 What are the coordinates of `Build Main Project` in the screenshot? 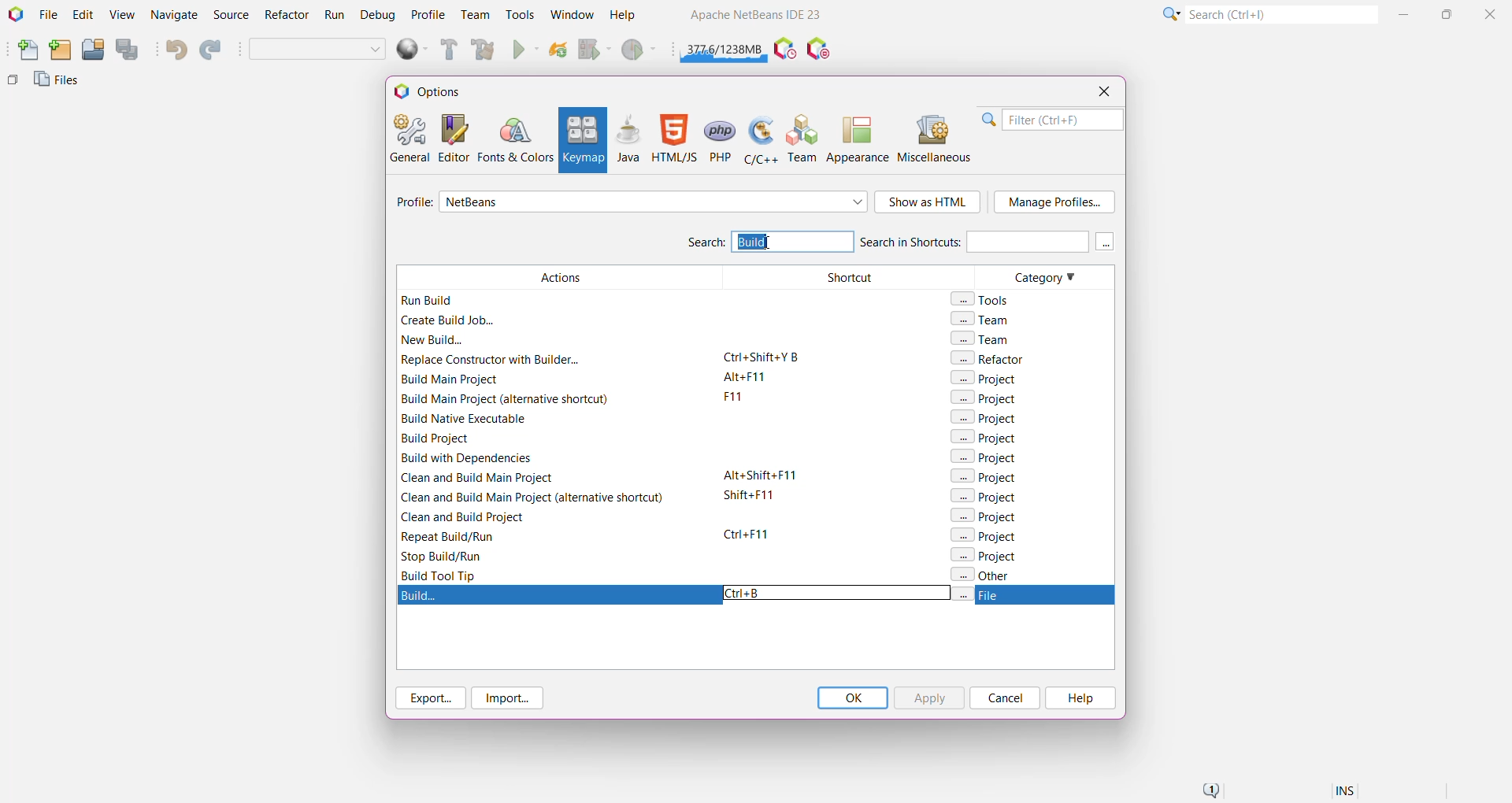 It's located at (447, 50).